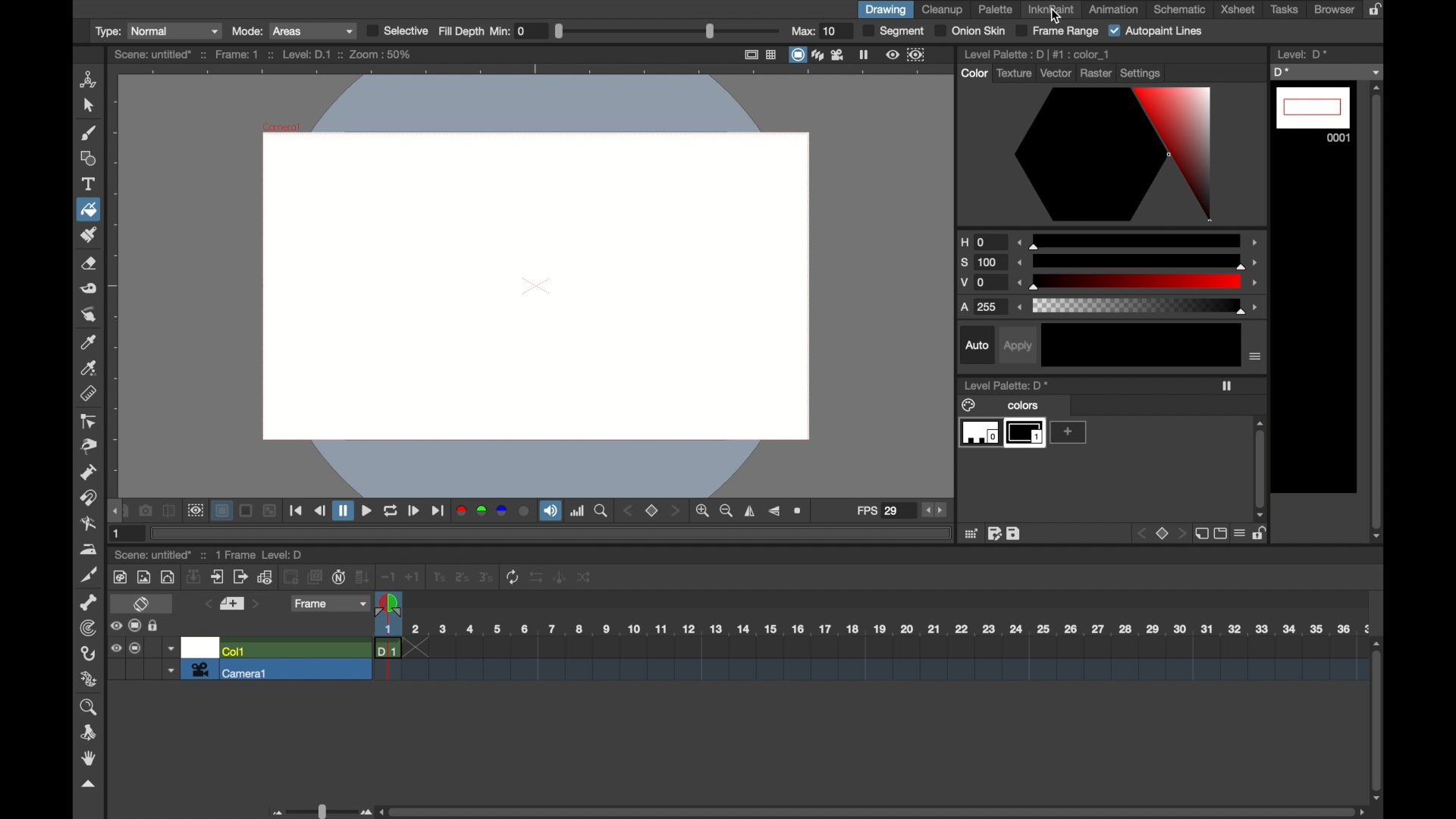 This screenshot has height=819, width=1456. What do you see at coordinates (982, 242) in the screenshot?
I see `H` at bounding box center [982, 242].